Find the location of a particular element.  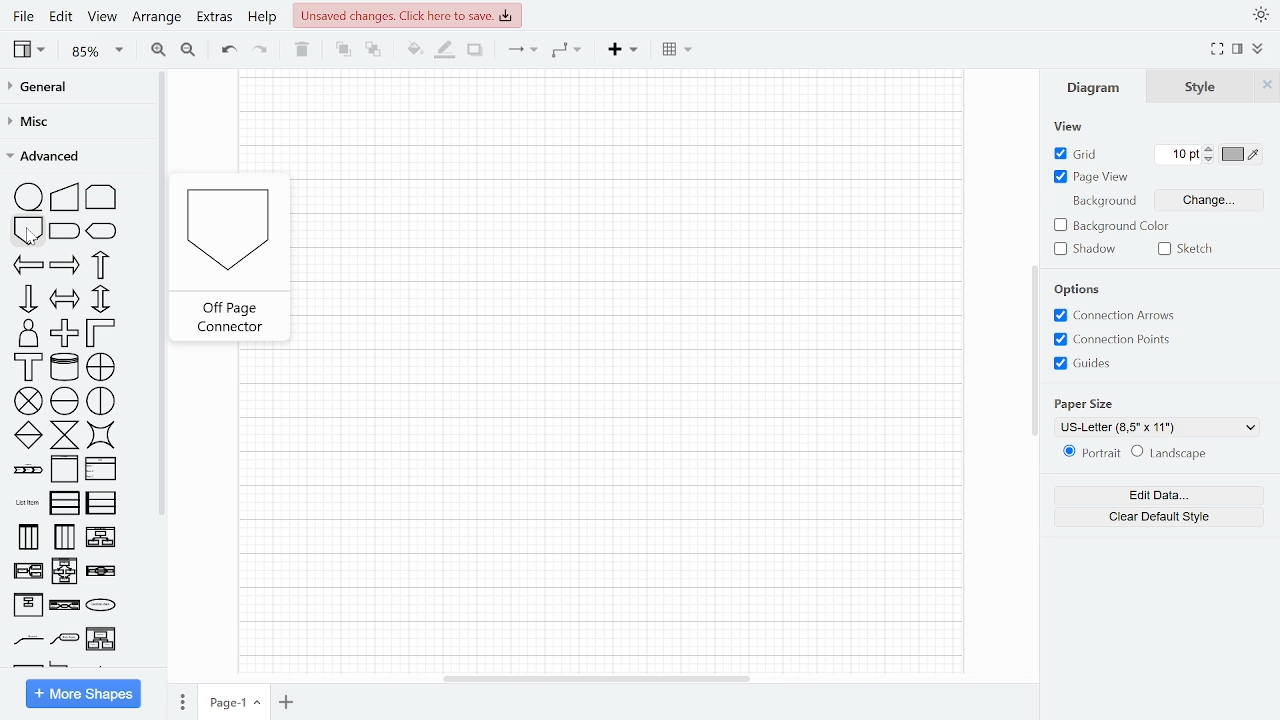

Change background is located at coordinates (1212, 201).